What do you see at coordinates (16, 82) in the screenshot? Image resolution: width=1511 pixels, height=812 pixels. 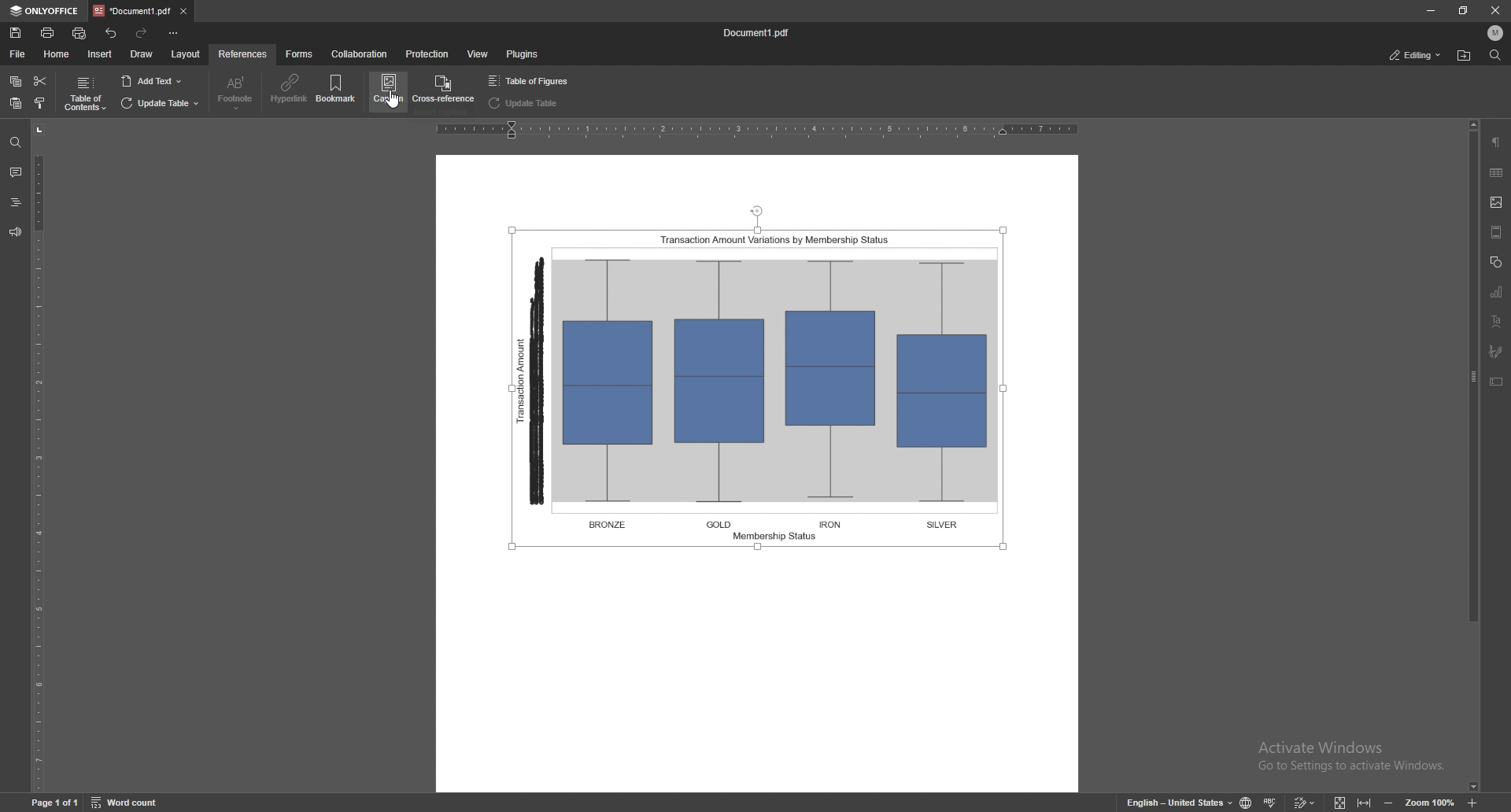 I see `copy` at bounding box center [16, 82].